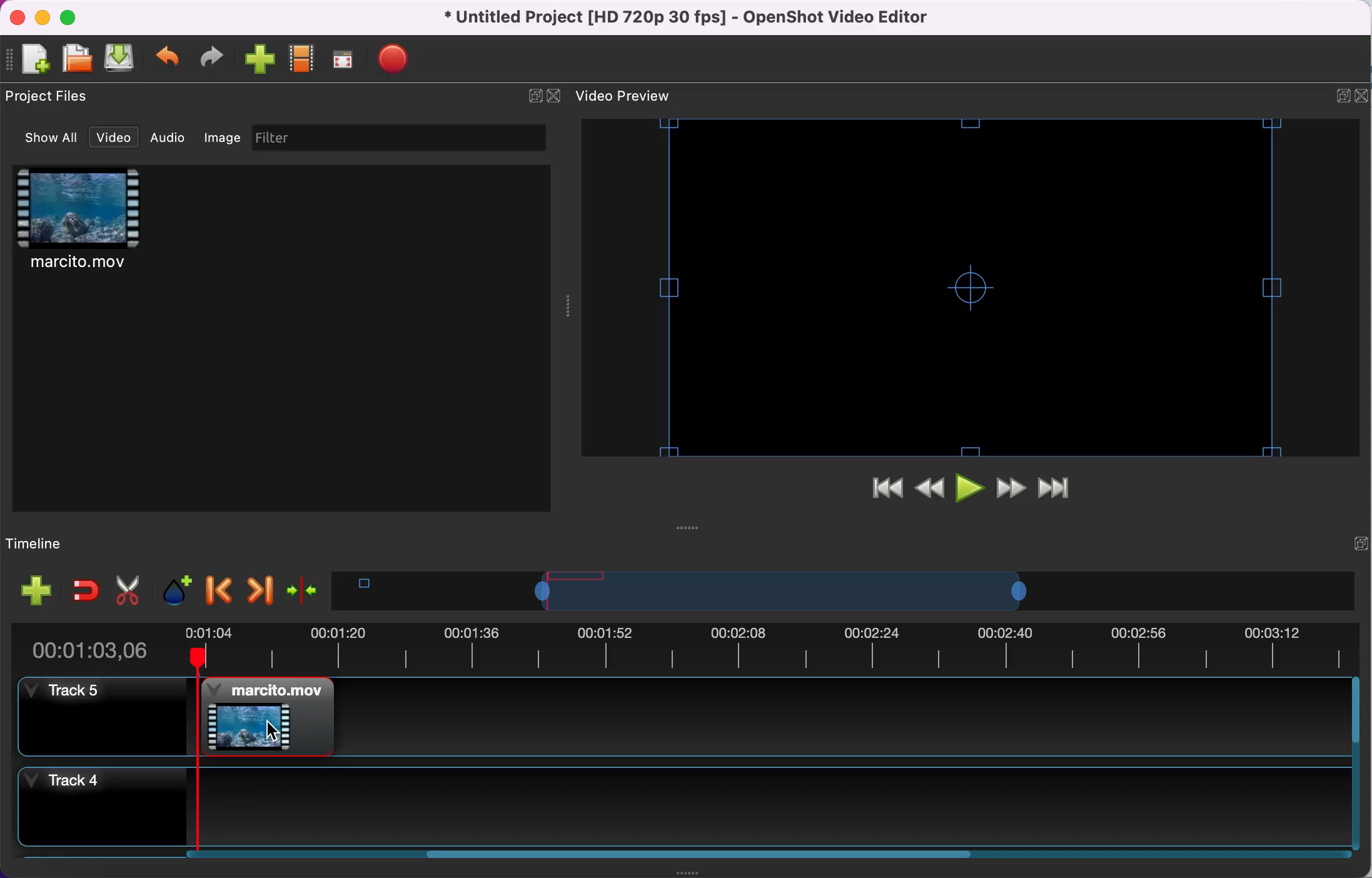 The image size is (1372, 878). I want to click on expand/hide, so click(1360, 542).